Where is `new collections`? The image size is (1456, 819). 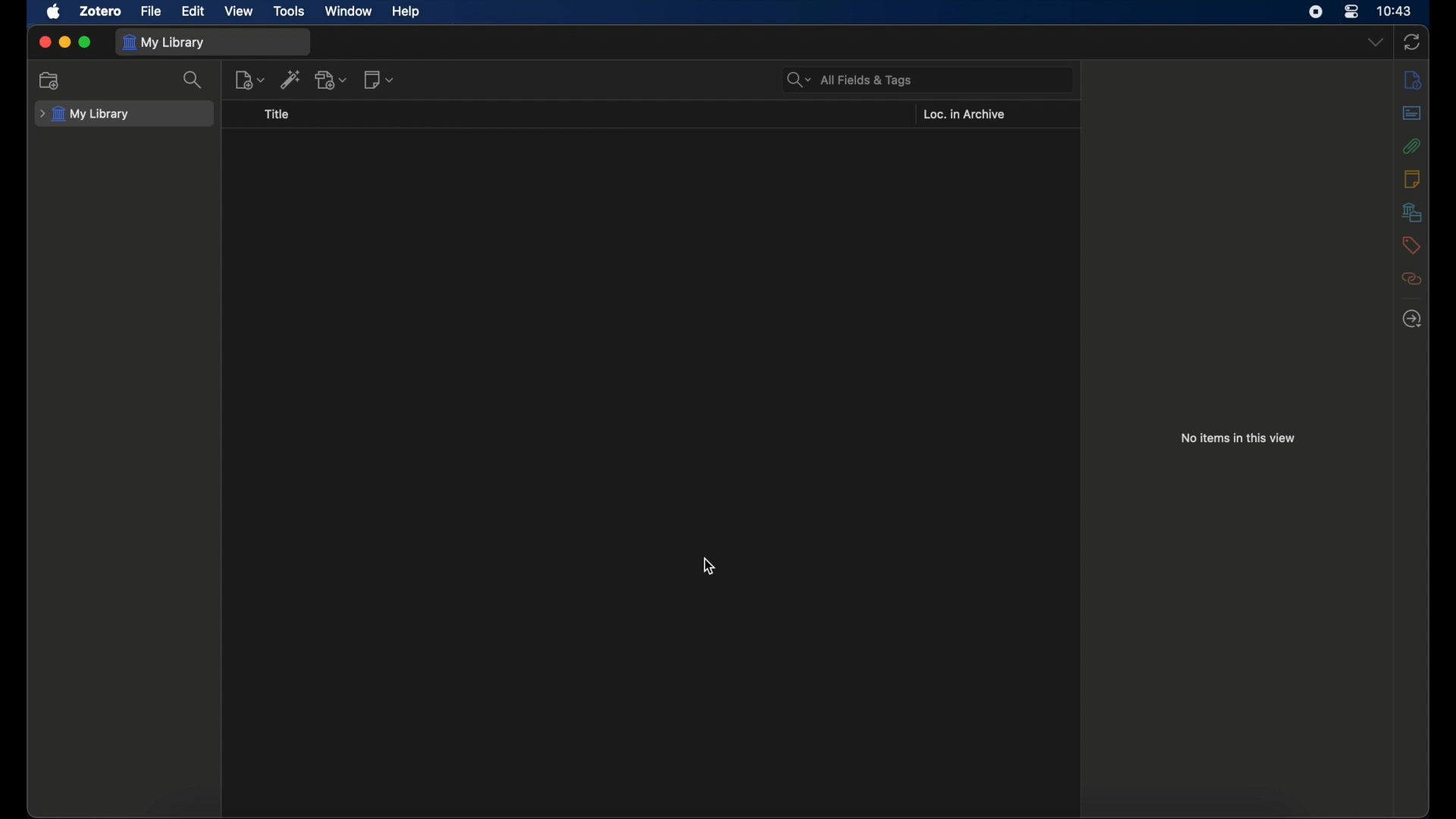 new collections is located at coordinates (50, 80).